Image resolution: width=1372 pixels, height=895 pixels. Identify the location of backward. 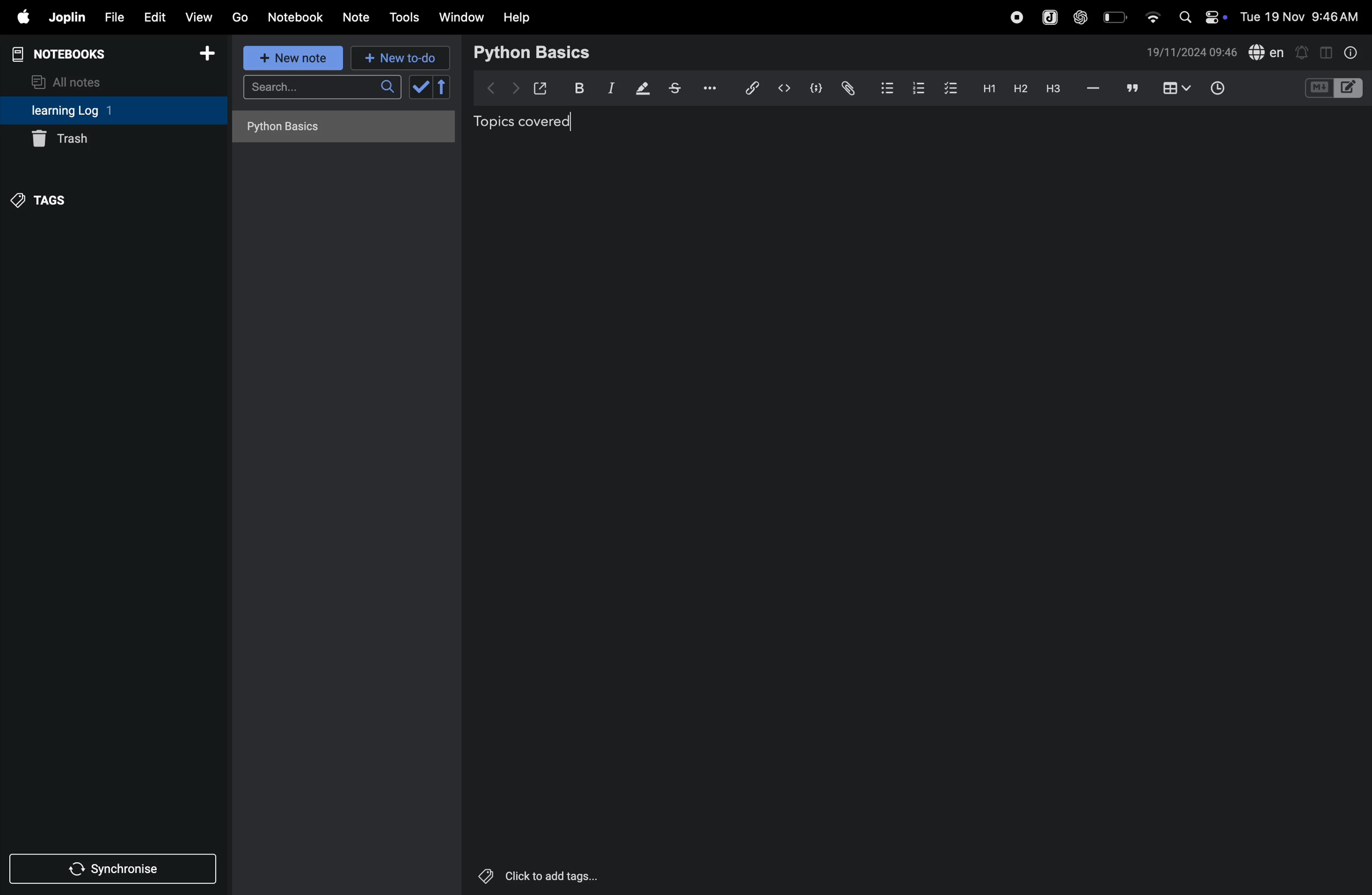
(492, 87).